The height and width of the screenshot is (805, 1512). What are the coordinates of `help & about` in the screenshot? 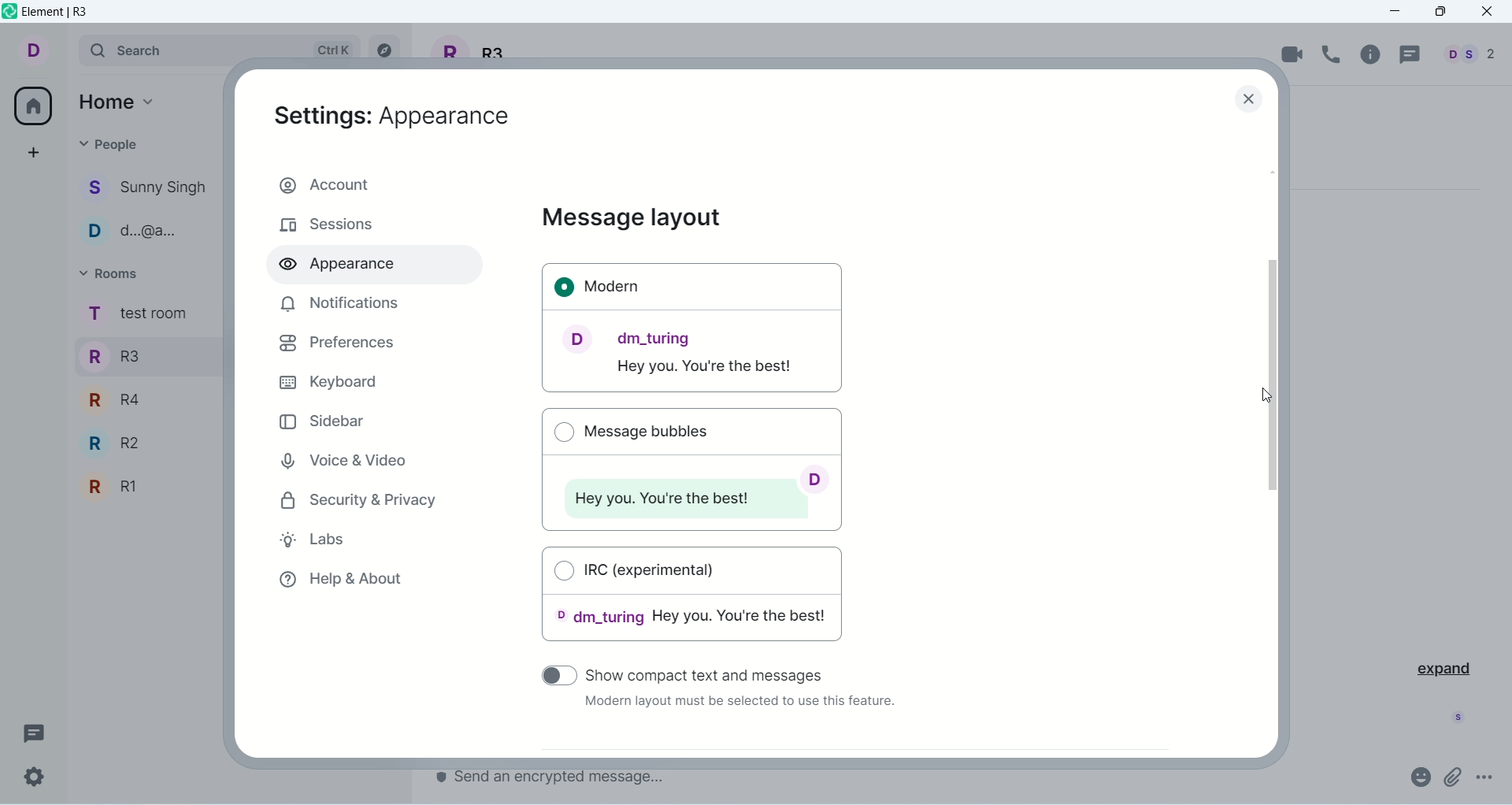 It's located at (339, 583).